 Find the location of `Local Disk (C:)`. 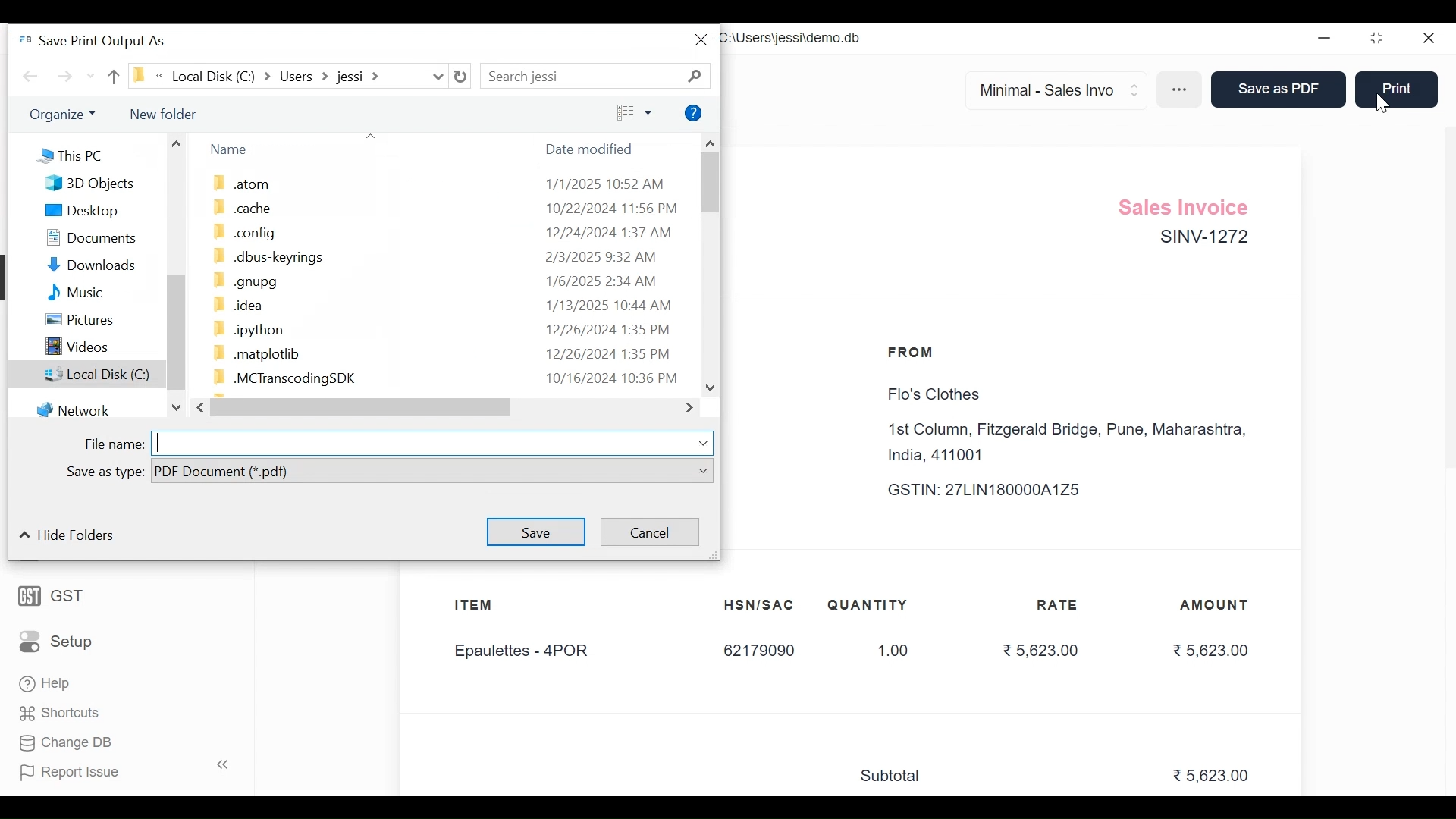

Local Disk (C:) is located at coordinates (84, 373).